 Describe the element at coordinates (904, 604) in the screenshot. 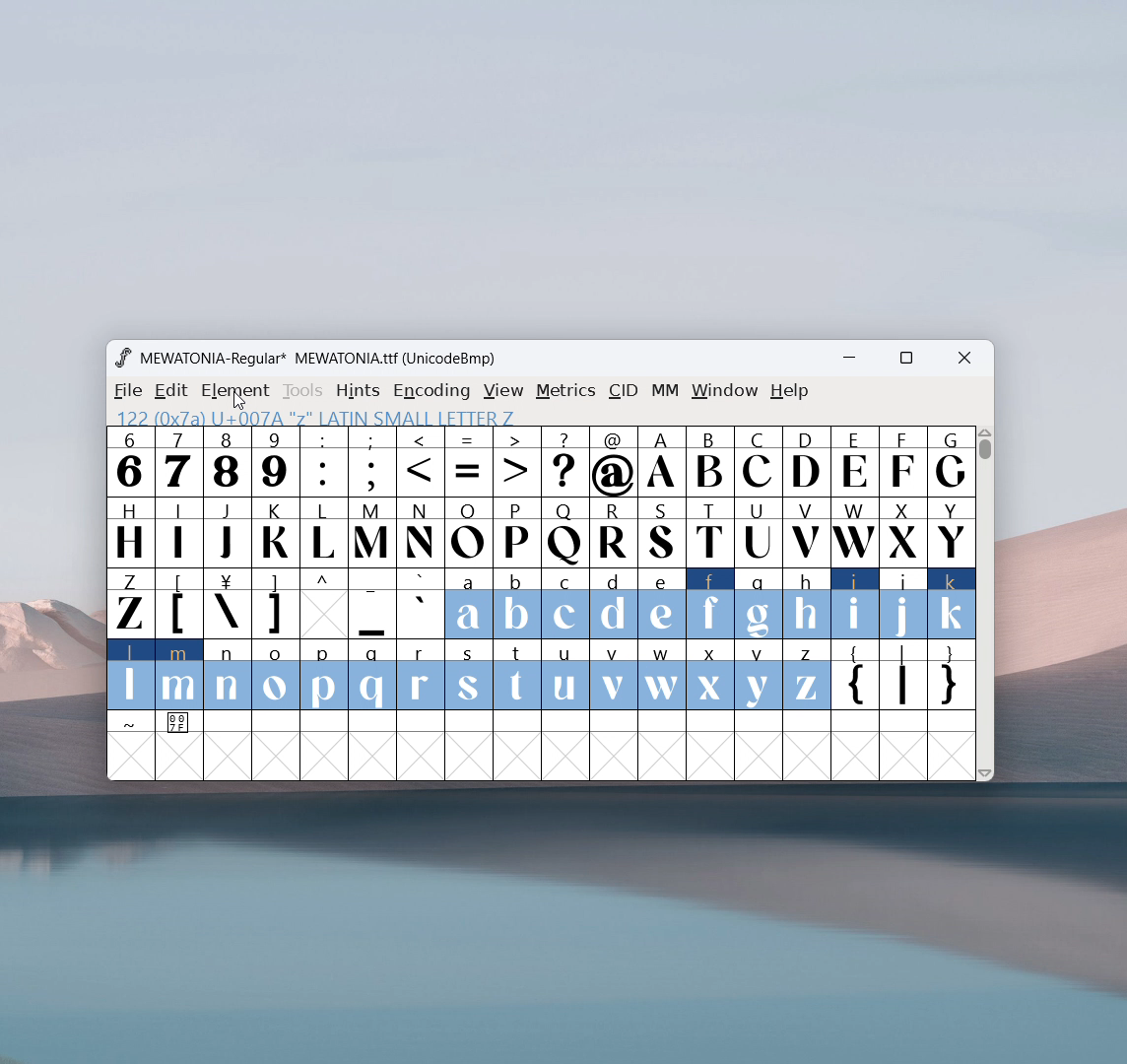

I see `j` at that location.